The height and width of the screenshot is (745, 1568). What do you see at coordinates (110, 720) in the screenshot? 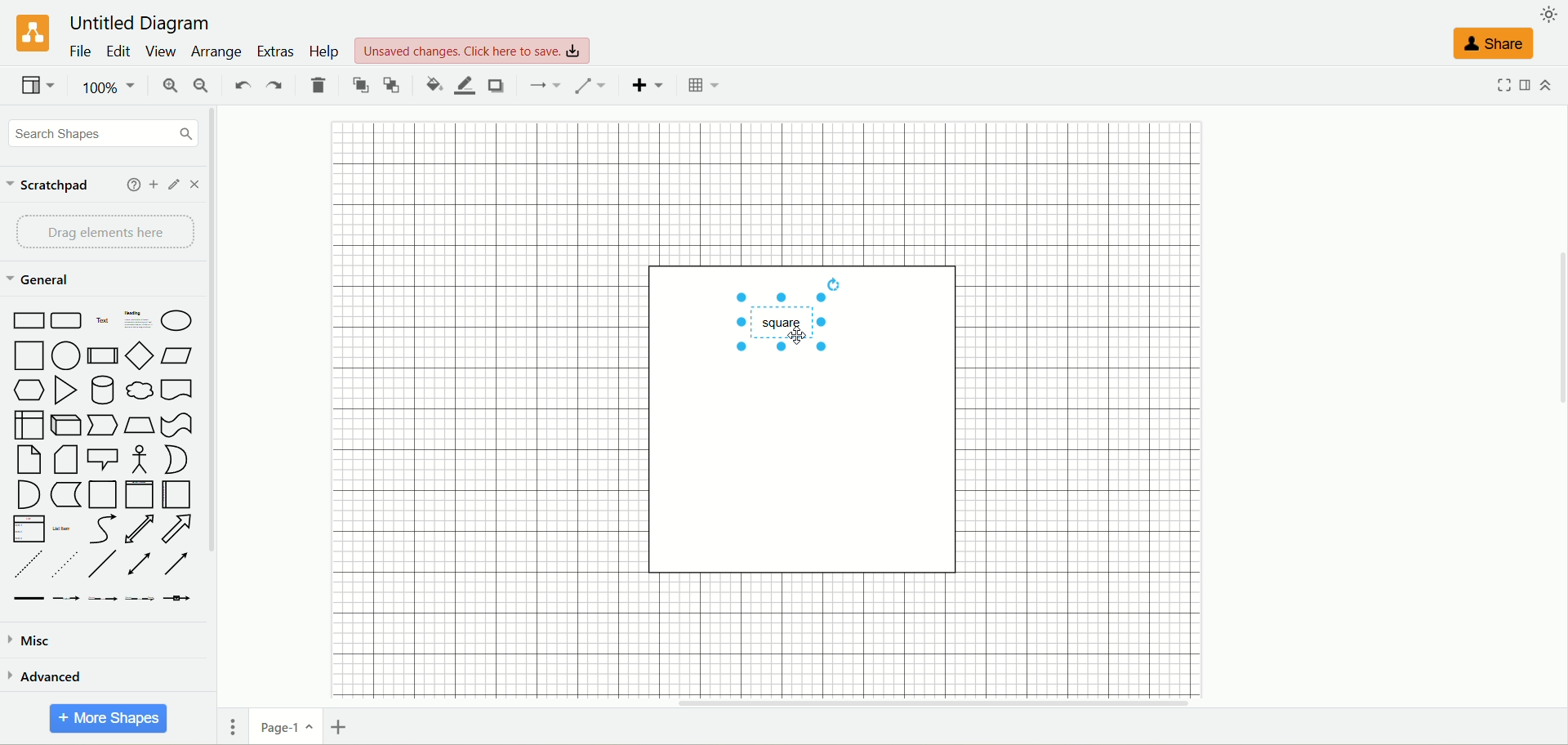
I see `more shapes` at bounding box center [110, 720].